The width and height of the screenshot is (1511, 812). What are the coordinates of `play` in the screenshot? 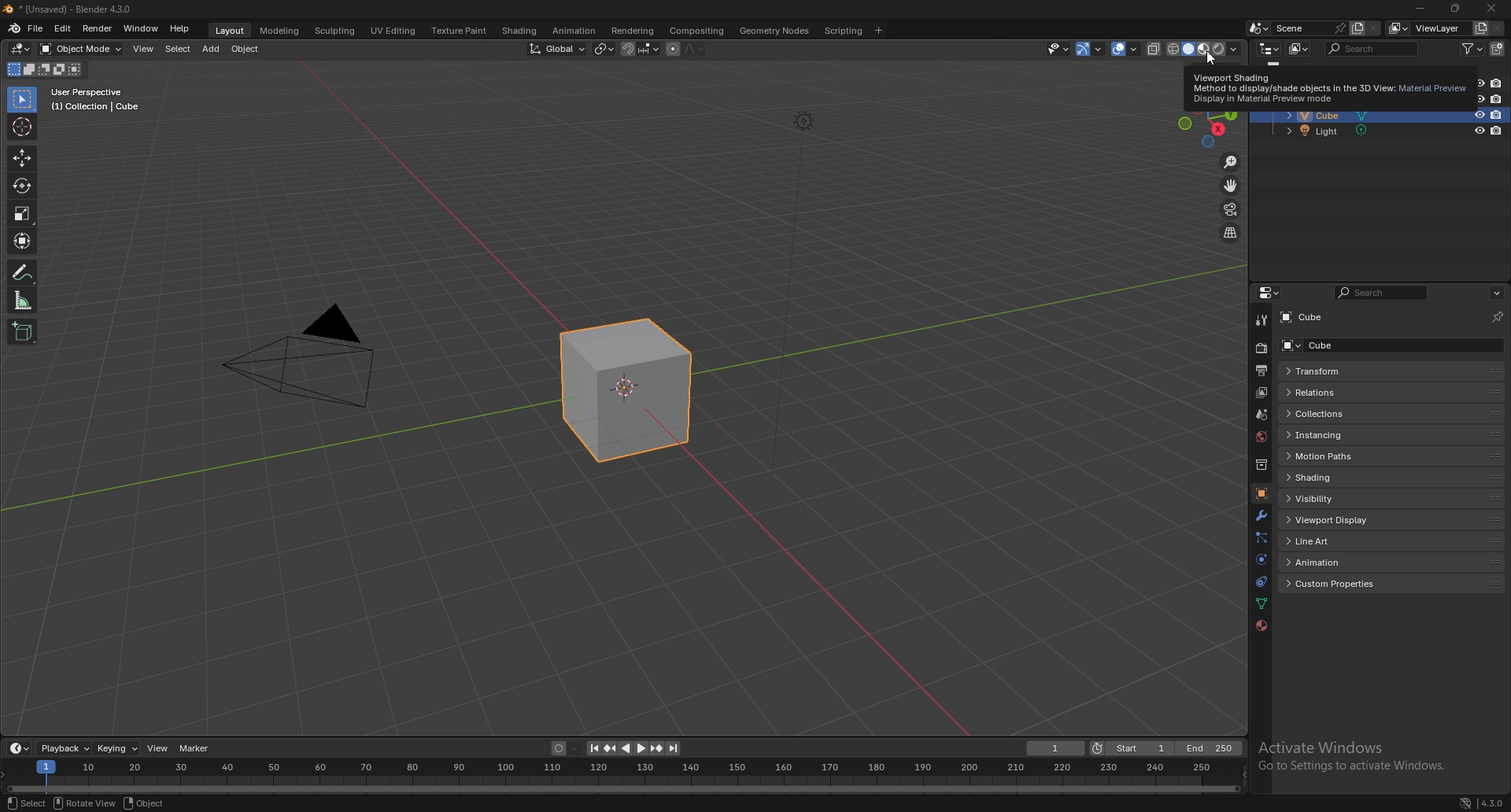 It's located at (632, 749).